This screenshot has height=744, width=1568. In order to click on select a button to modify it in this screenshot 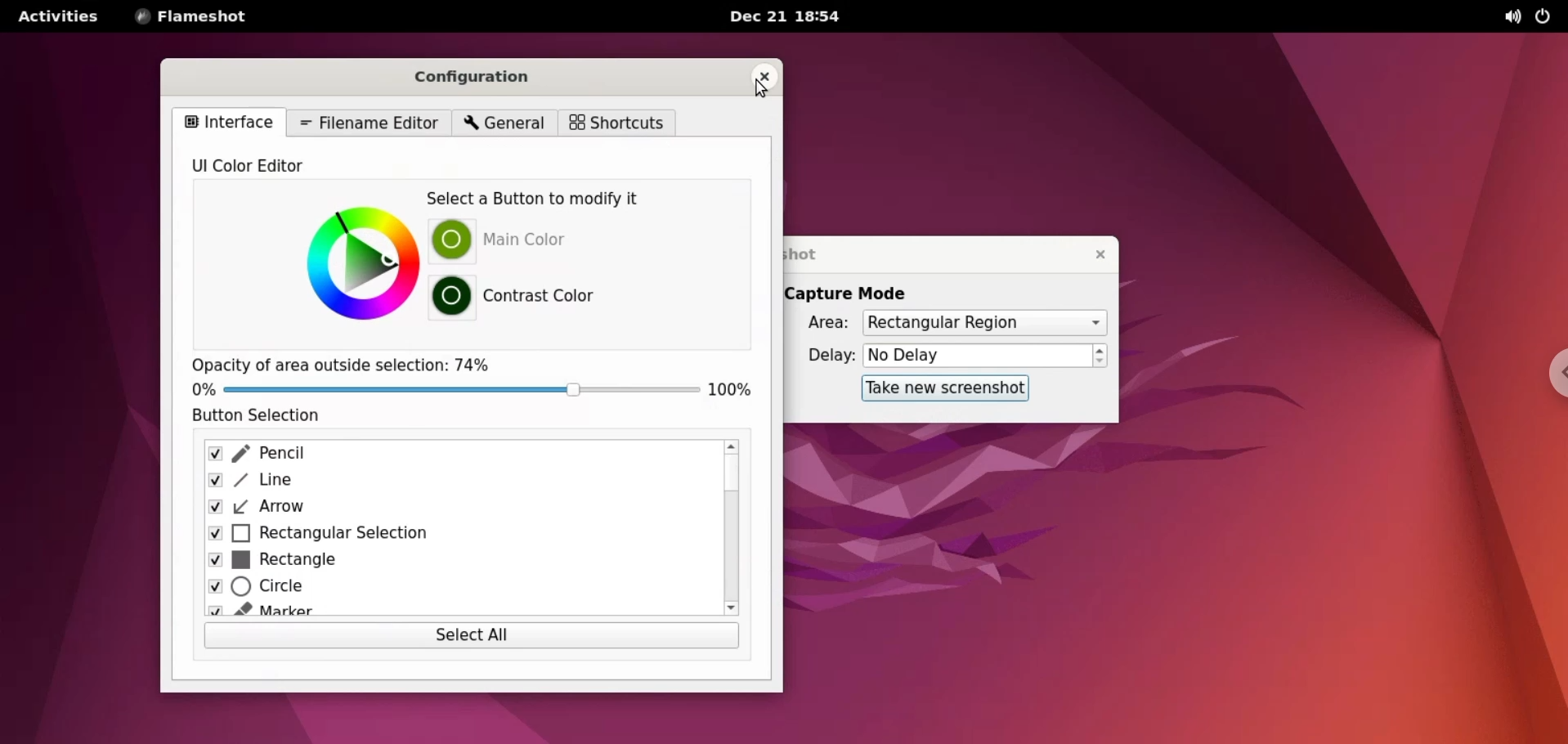, I will do `click(543, 199)`.